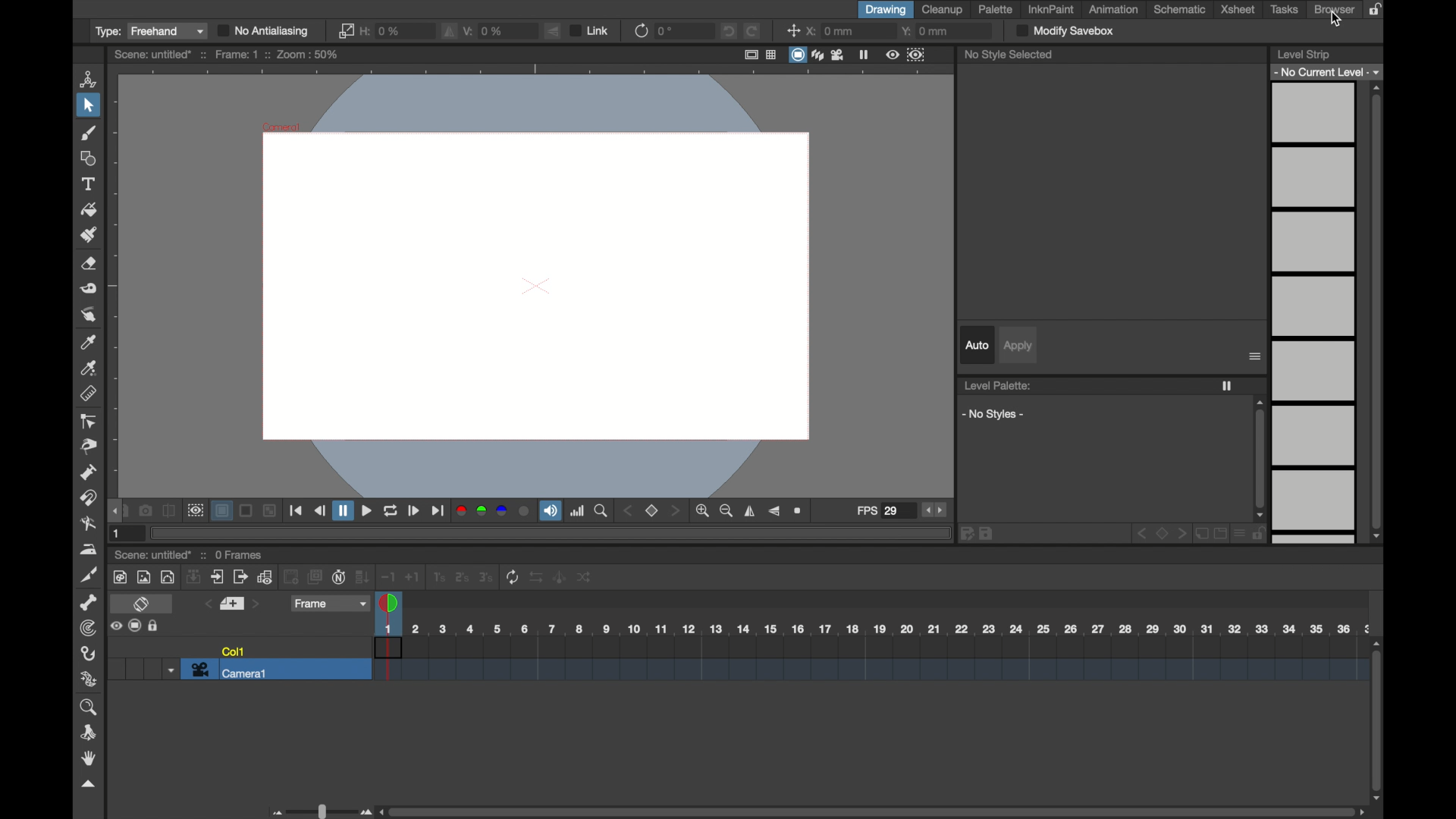 This screenshot has width=1456, height=819. I want to click on view modes, so click(816, 55).